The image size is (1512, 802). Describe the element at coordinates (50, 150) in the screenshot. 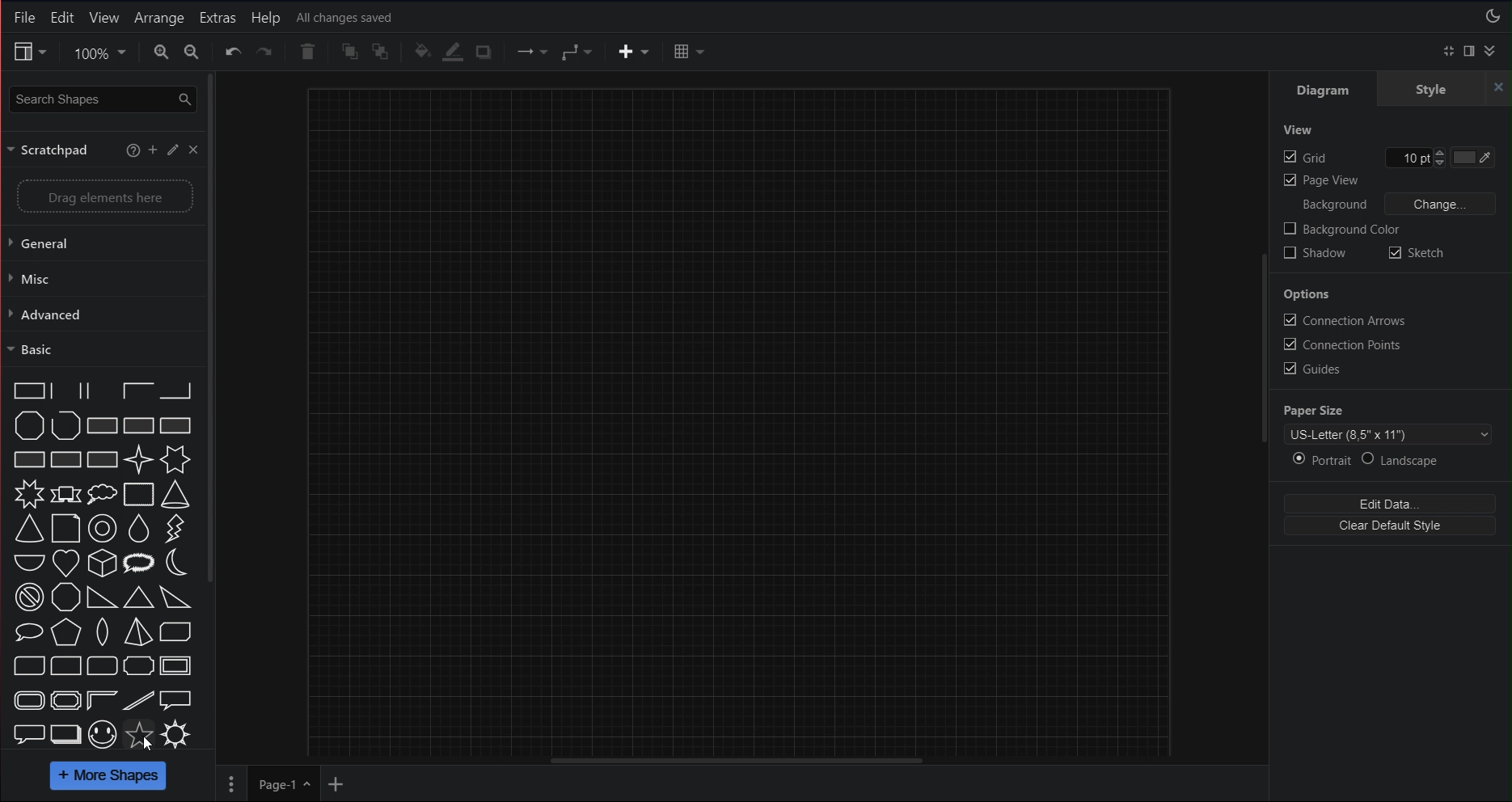

I see `Scratchpad` at that location.